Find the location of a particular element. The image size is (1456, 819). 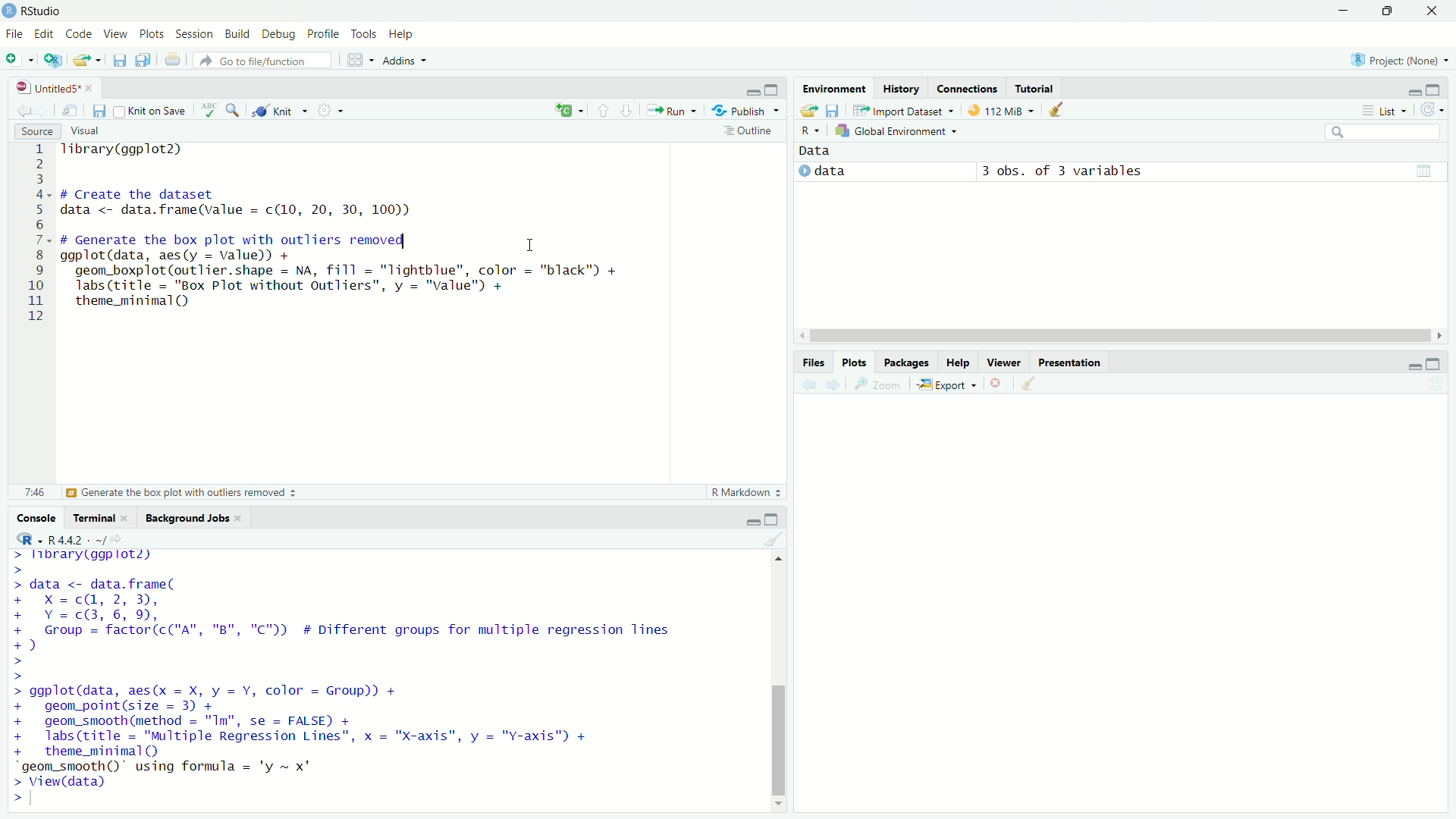

zoom is located at coordinates (881, 386).